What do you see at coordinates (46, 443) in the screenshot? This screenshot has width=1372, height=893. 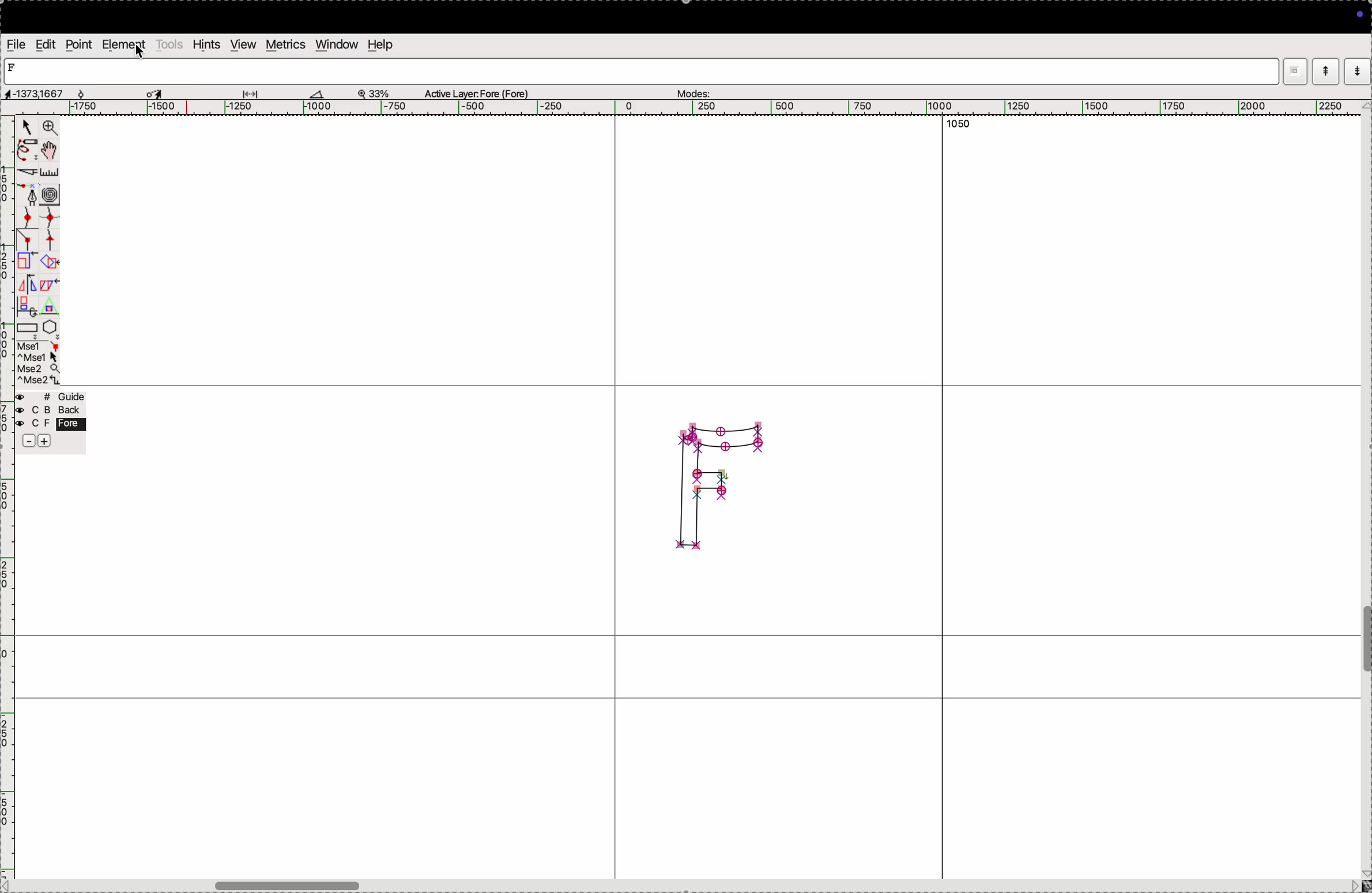 I see `add` at bounding box center [46, 443].